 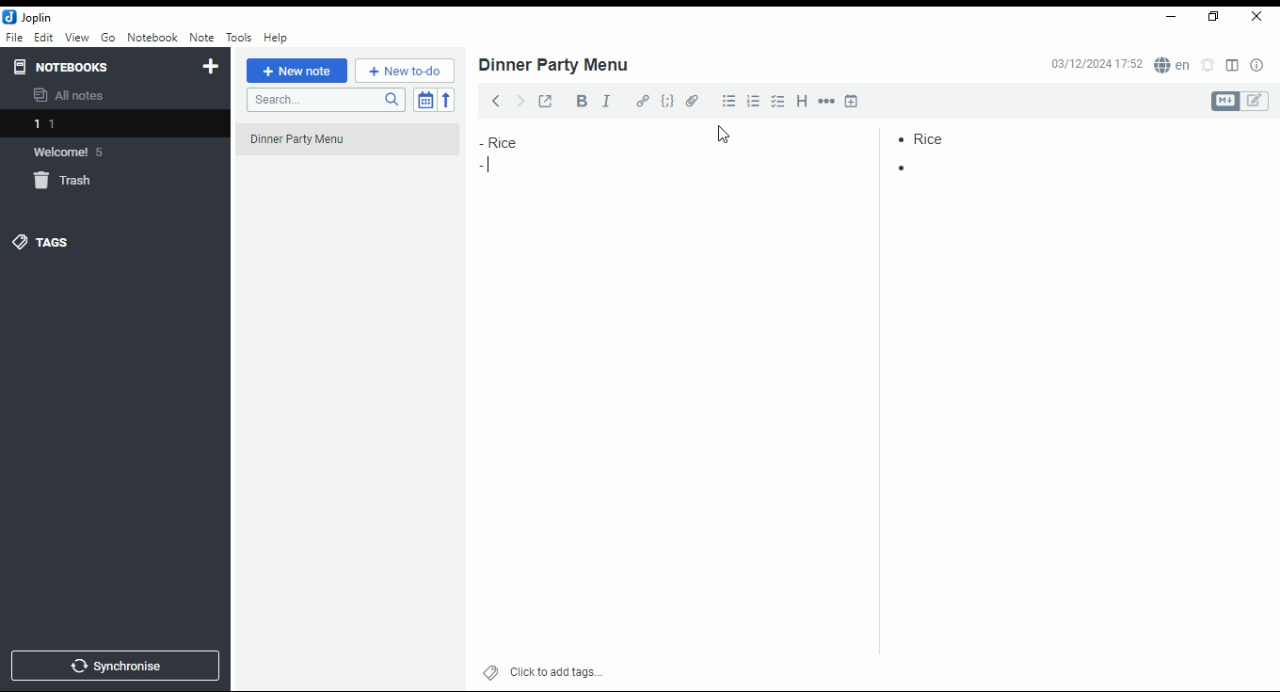 What do you see at coordinates (554, 671) in the screenshot?
I see `click to add tags` at bounding box center [554, 671].